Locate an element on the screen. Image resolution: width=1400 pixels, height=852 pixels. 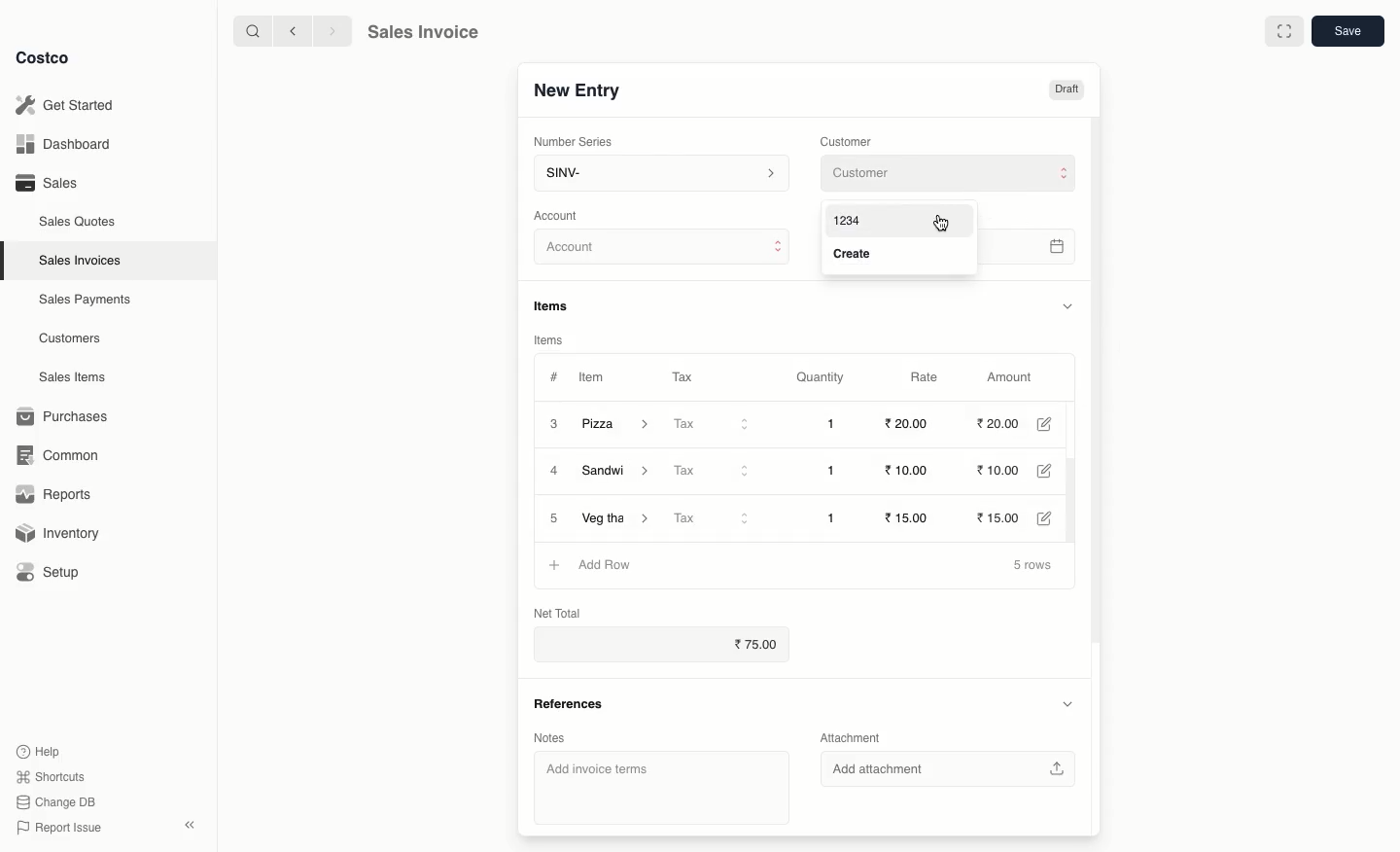
‘Add invoice terms is located at coordinates (654, 787).